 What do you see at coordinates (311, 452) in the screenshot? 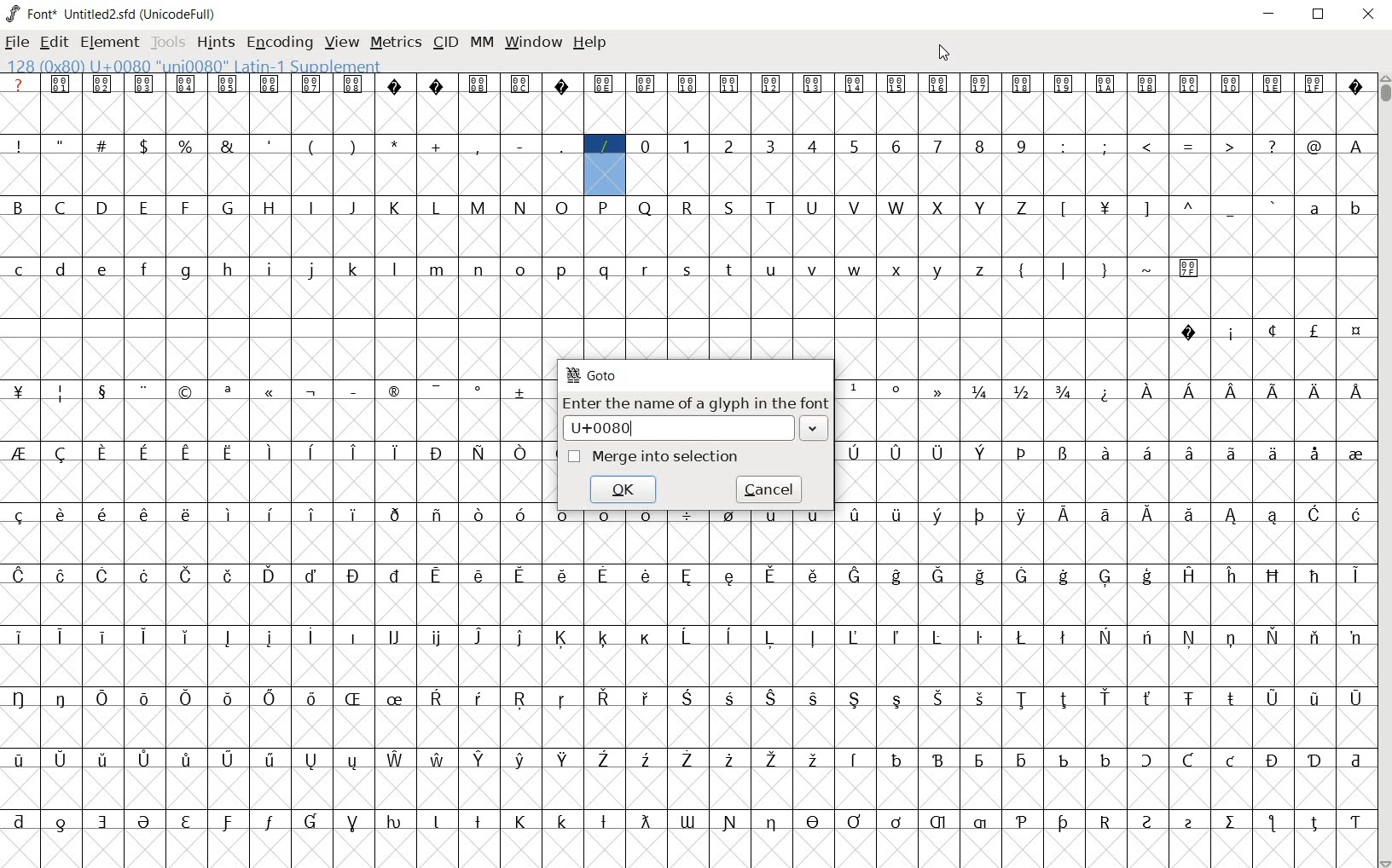
I see `glyph` at bounding box center [311, 452].